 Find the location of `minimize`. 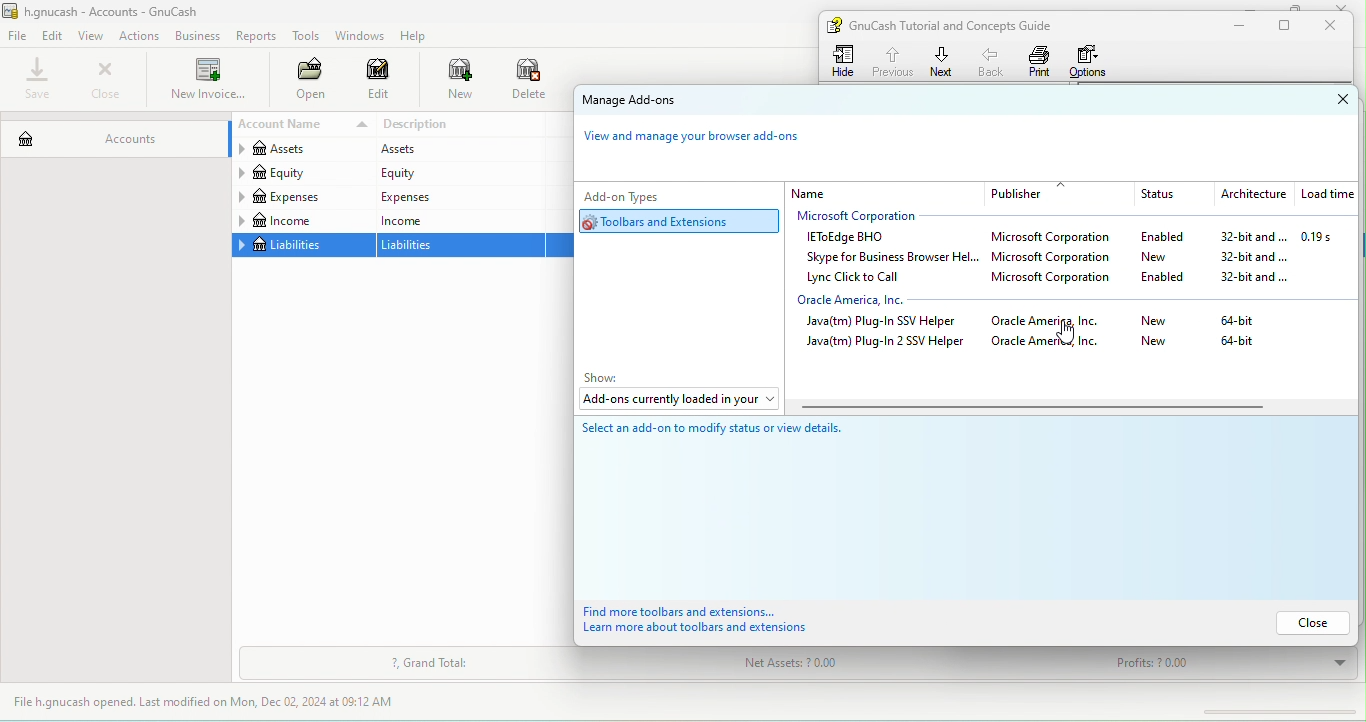

minimize is located at coordinates (1255, 5).